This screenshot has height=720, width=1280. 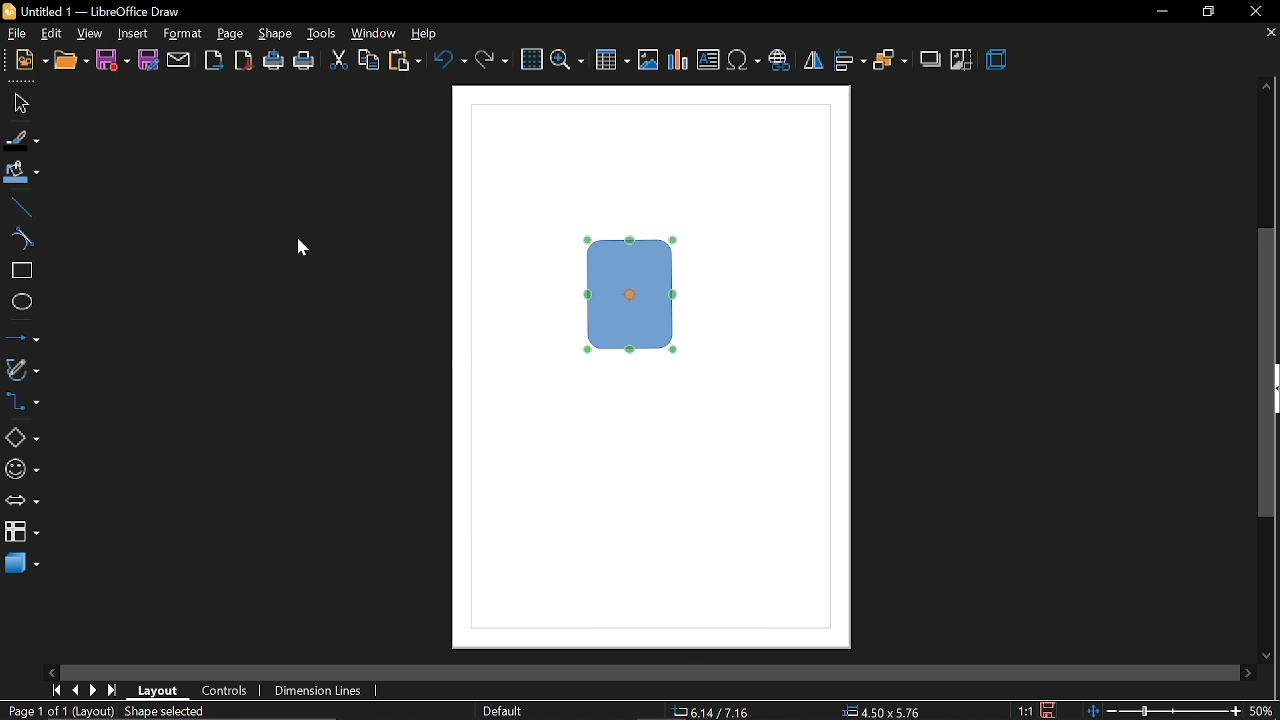 What do you see at coordinates (1266, 373) in the screenshot?
I see `vertical scrollbar` at bounding box center [1266, 373].